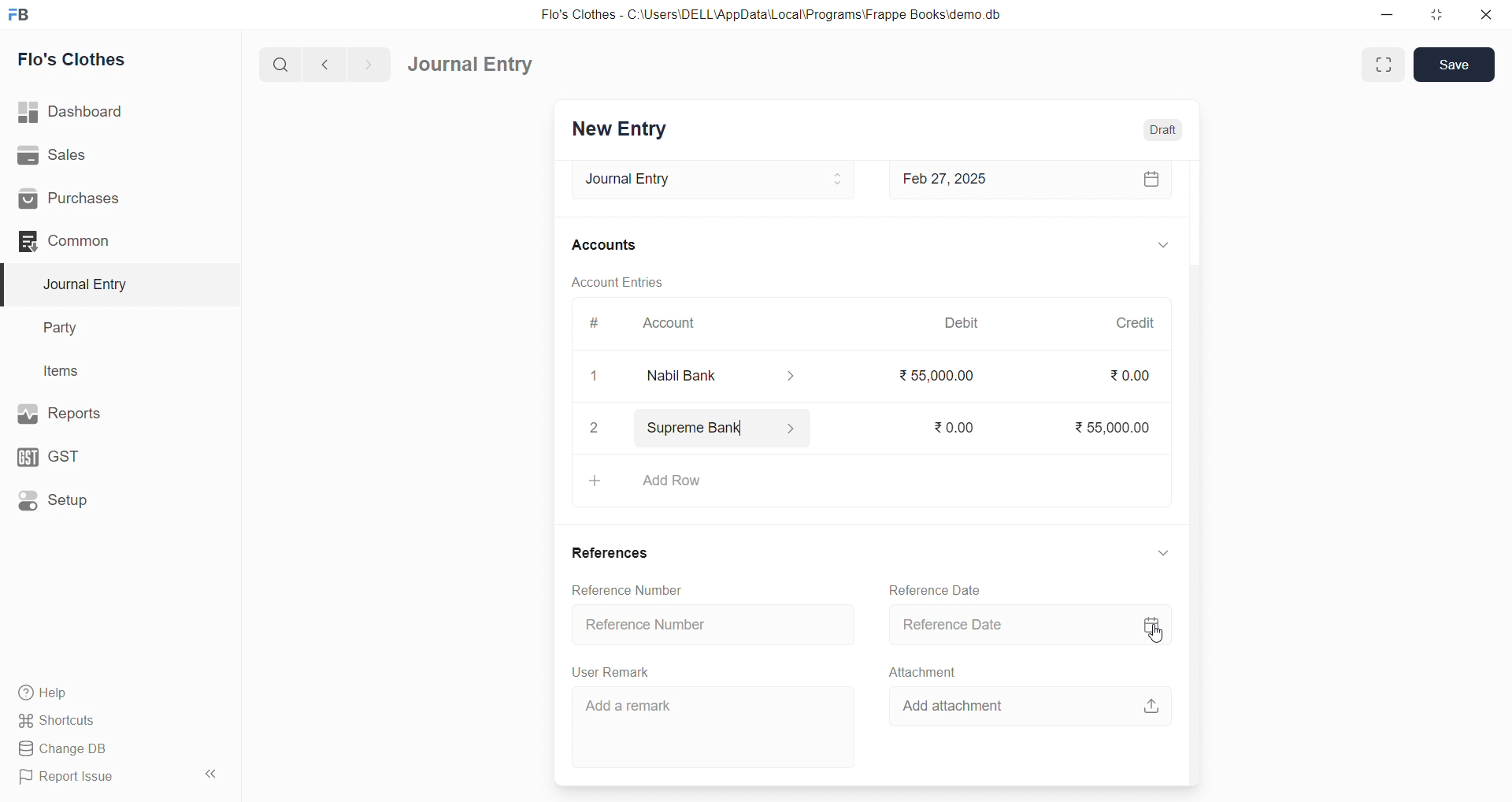  What do you see at coordinates (1164, 129) in the screenshot?
I see `Draft` at bounding box center [1164, 129].